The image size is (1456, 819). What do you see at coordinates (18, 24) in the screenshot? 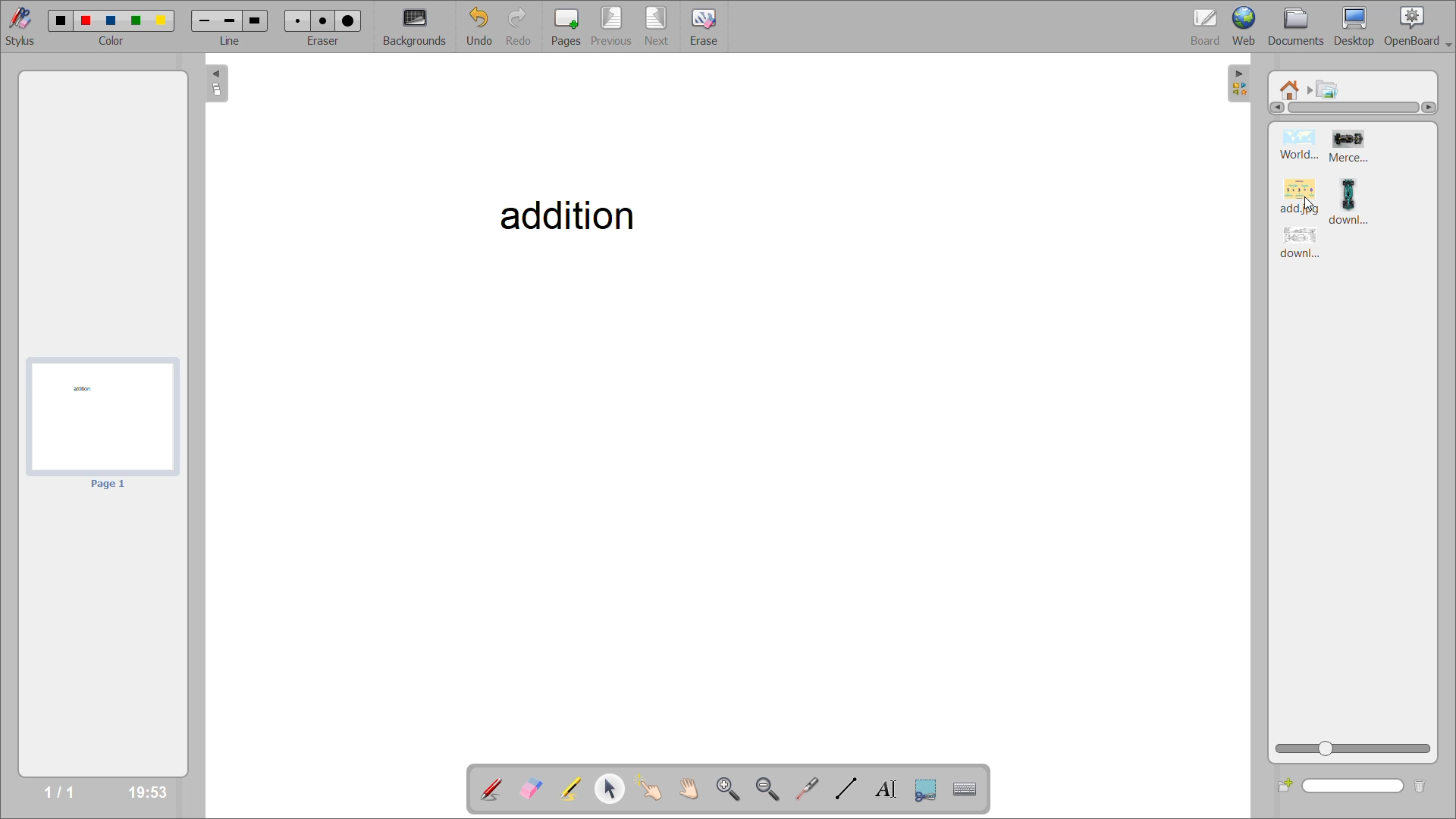
I see `stylus` at bounding box center [18, 24].